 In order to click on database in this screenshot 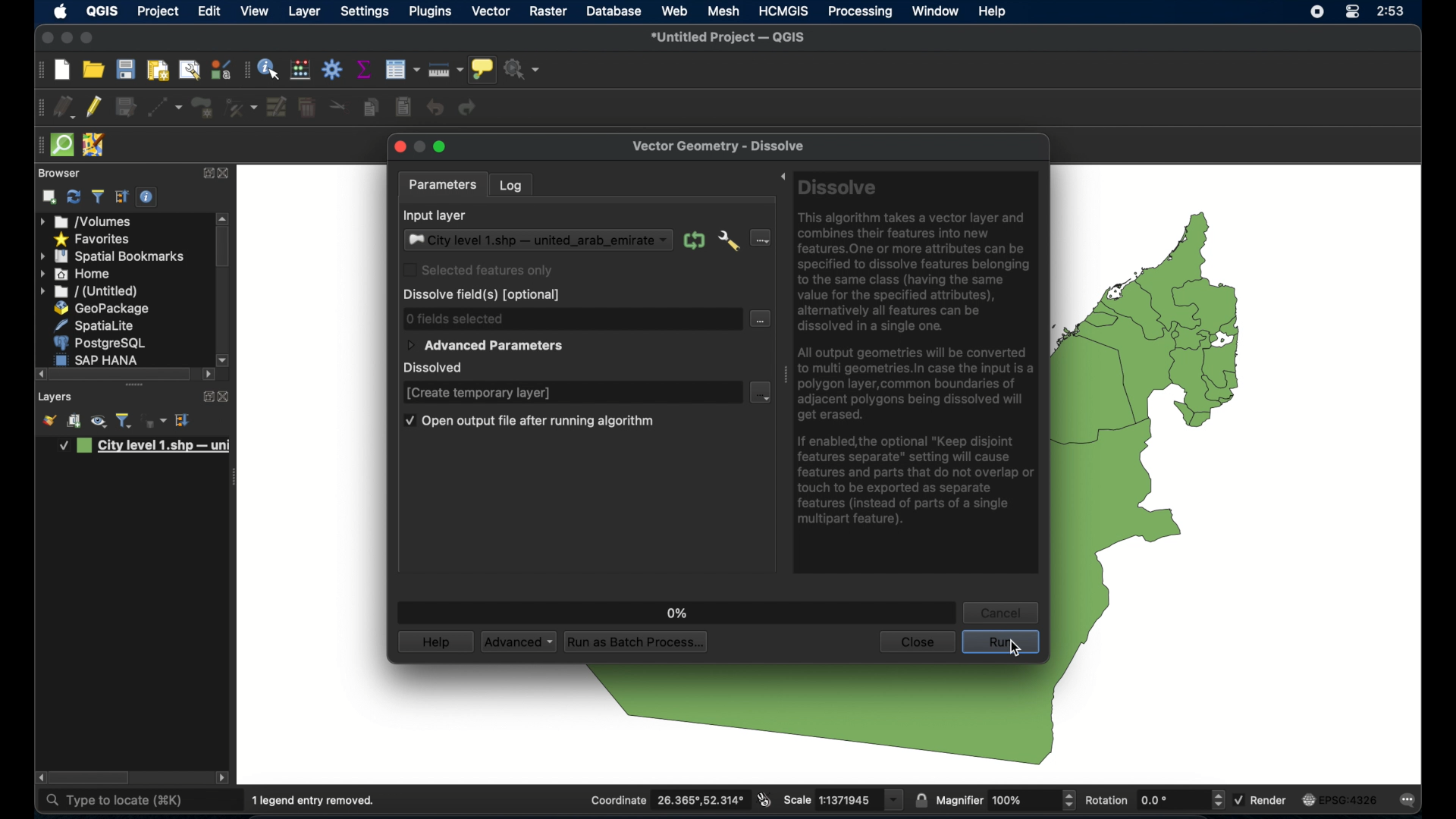, I will do `click(615, 11)`.